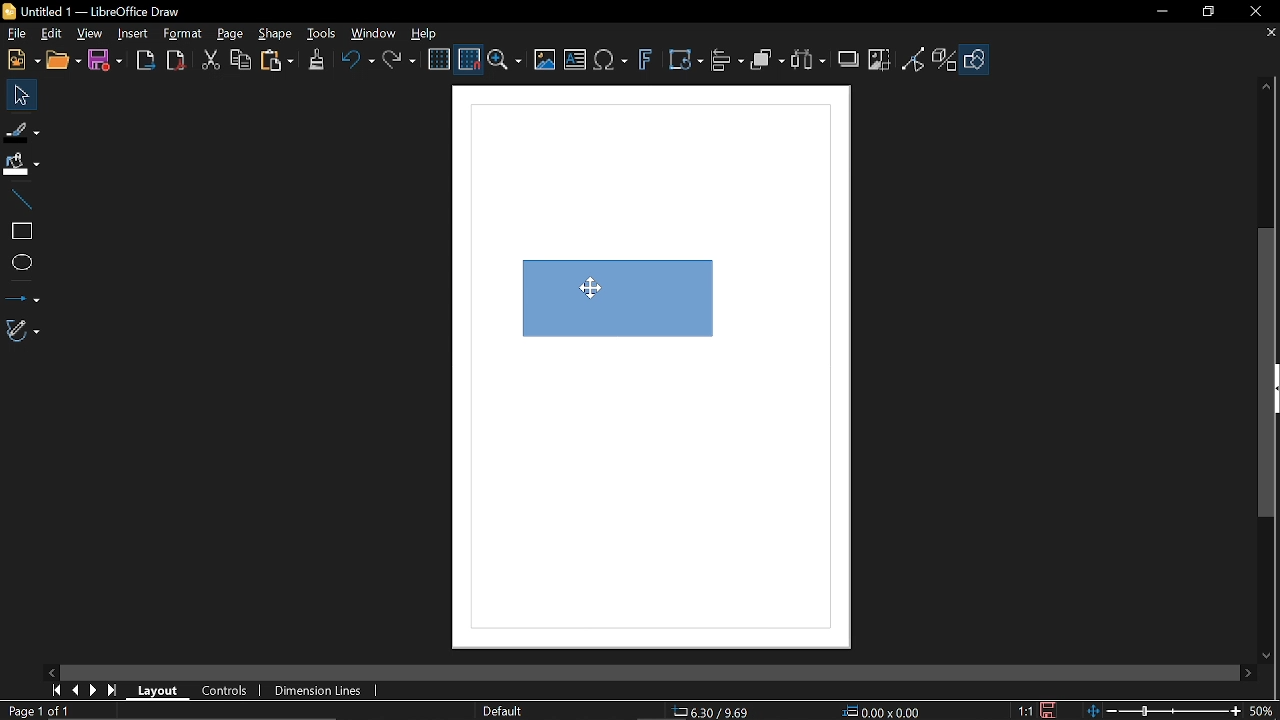  Describe the element at coordinates (608, 295) in the screenshot. I see `Rectangle (Current Diagram)` at that location.